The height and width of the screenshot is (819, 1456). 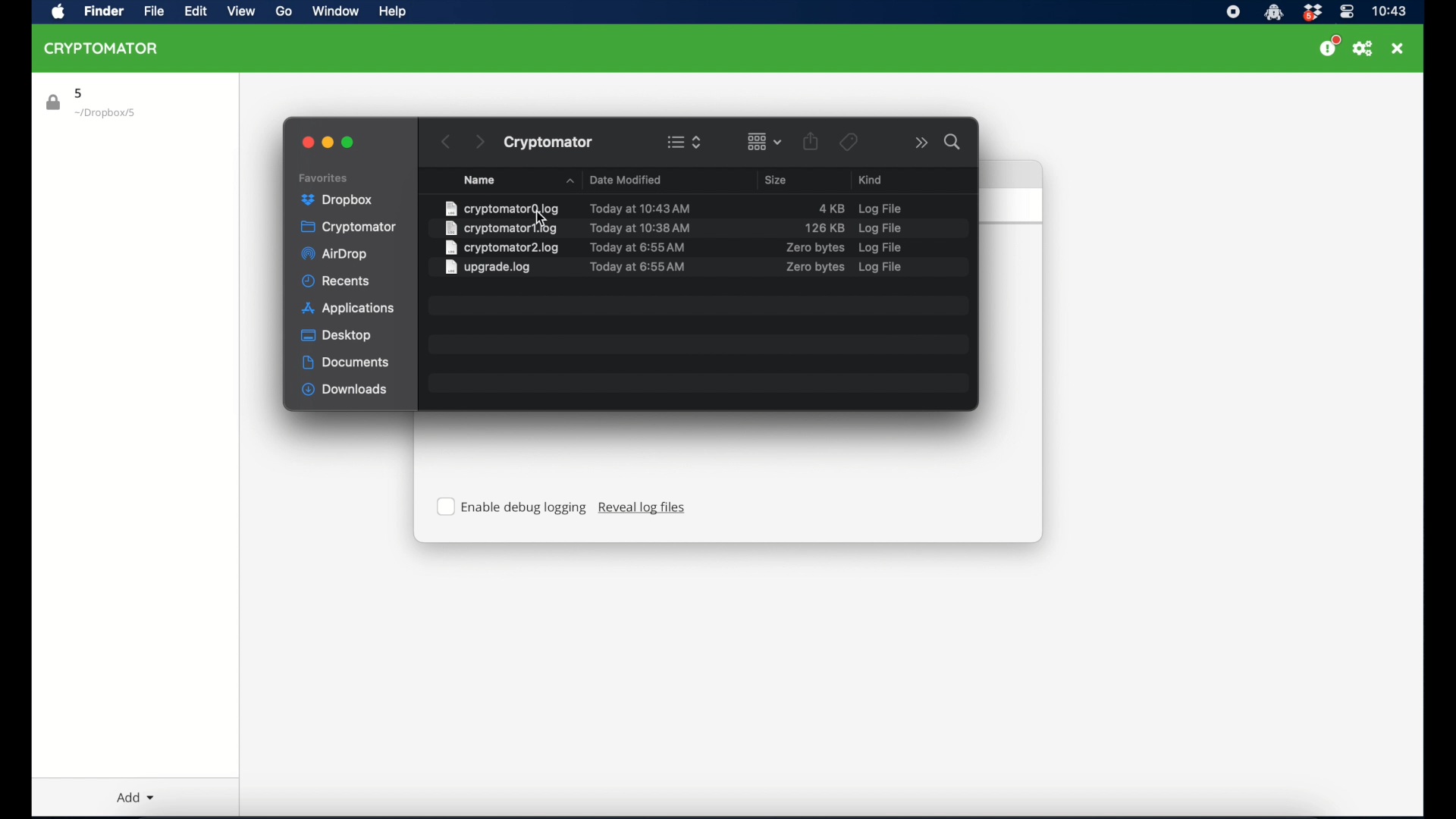 I want to click on date, so click(x=637, y=267).